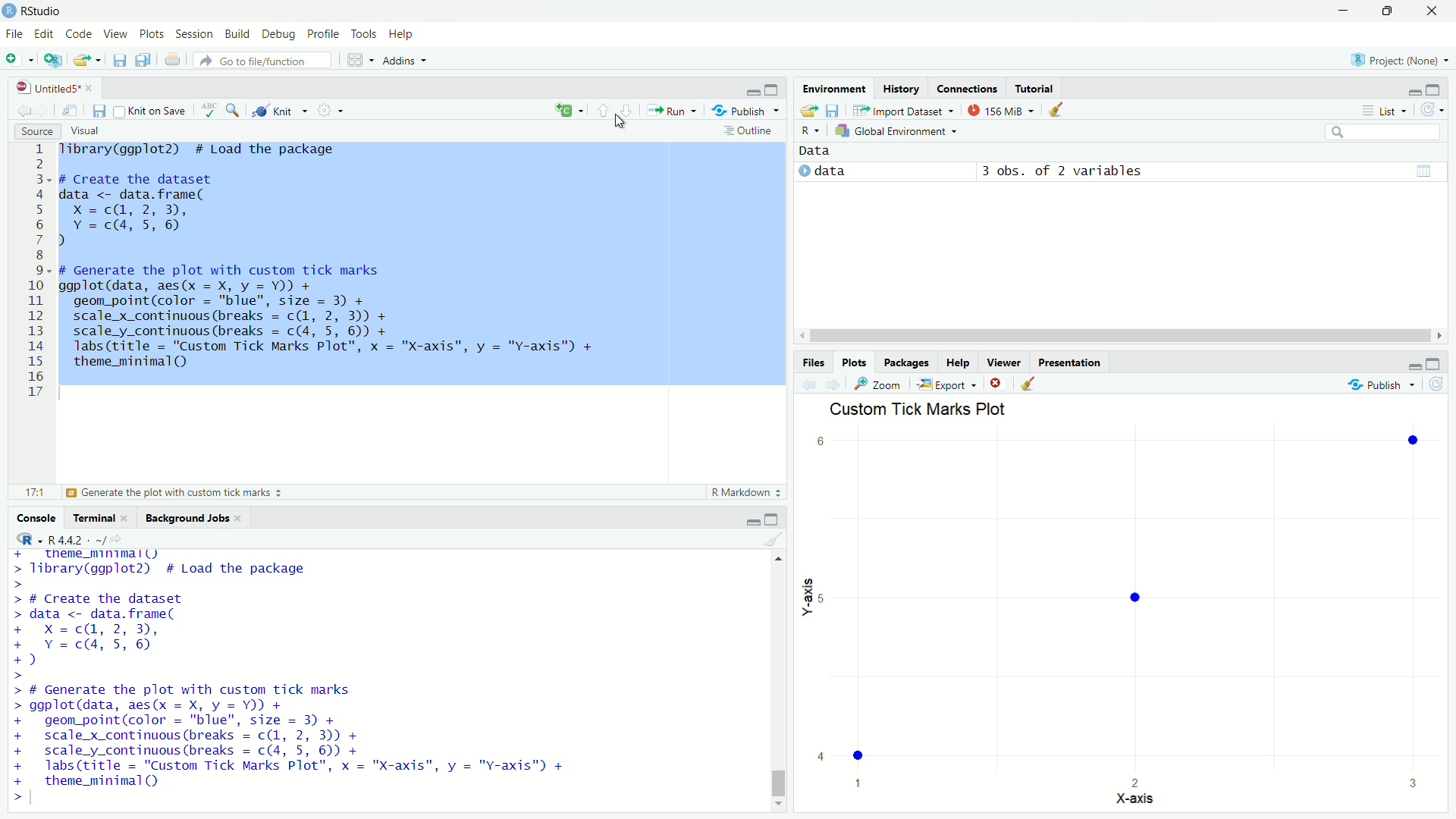 This screenshot has width=1456, height=819. What do you see at coordinates (72, 110) in the screenshot?
I see `show in new window` at bounding box center [72, 110].